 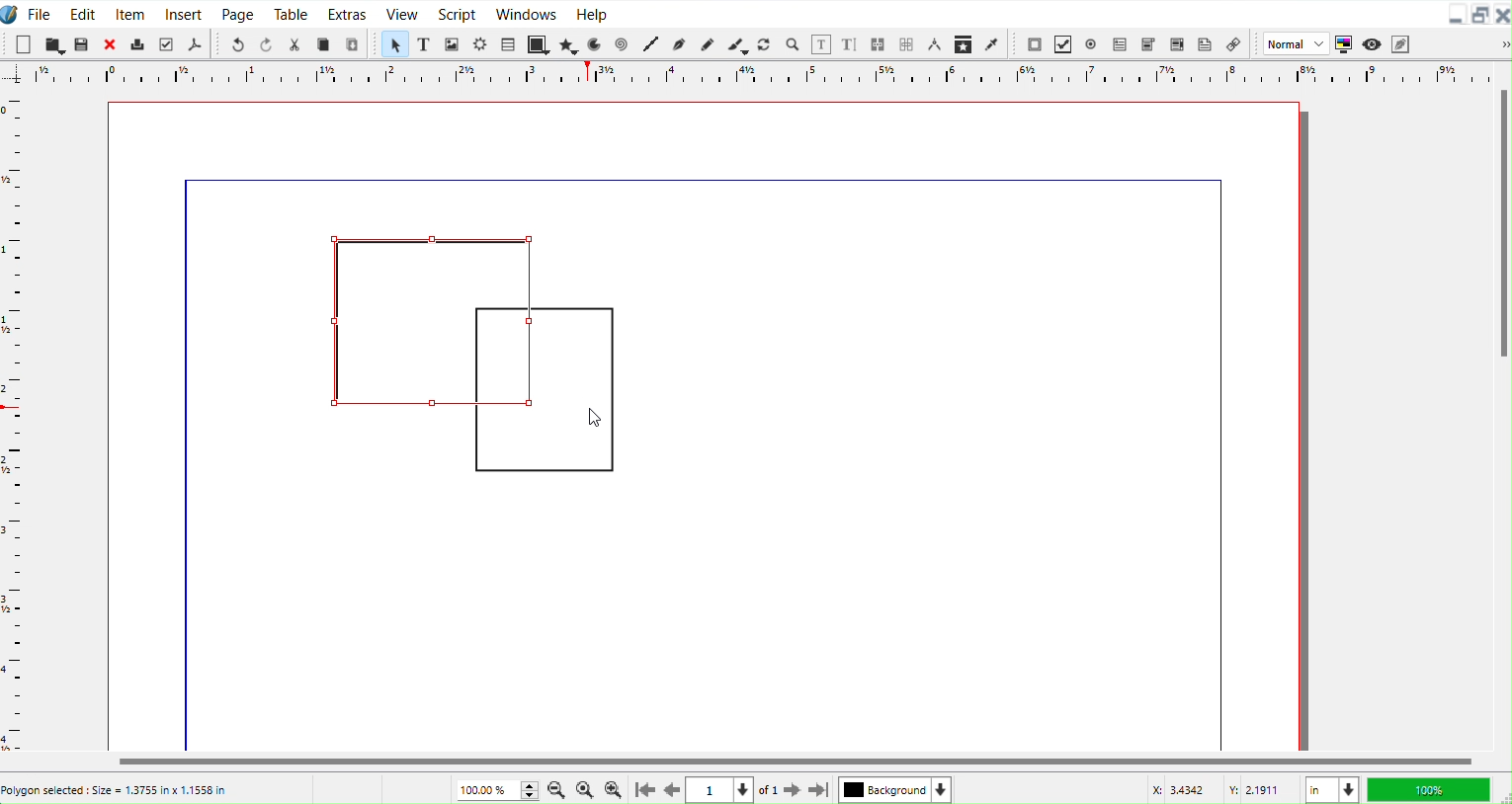 I want to click on Go to First Page, so click(x=643, y=790).